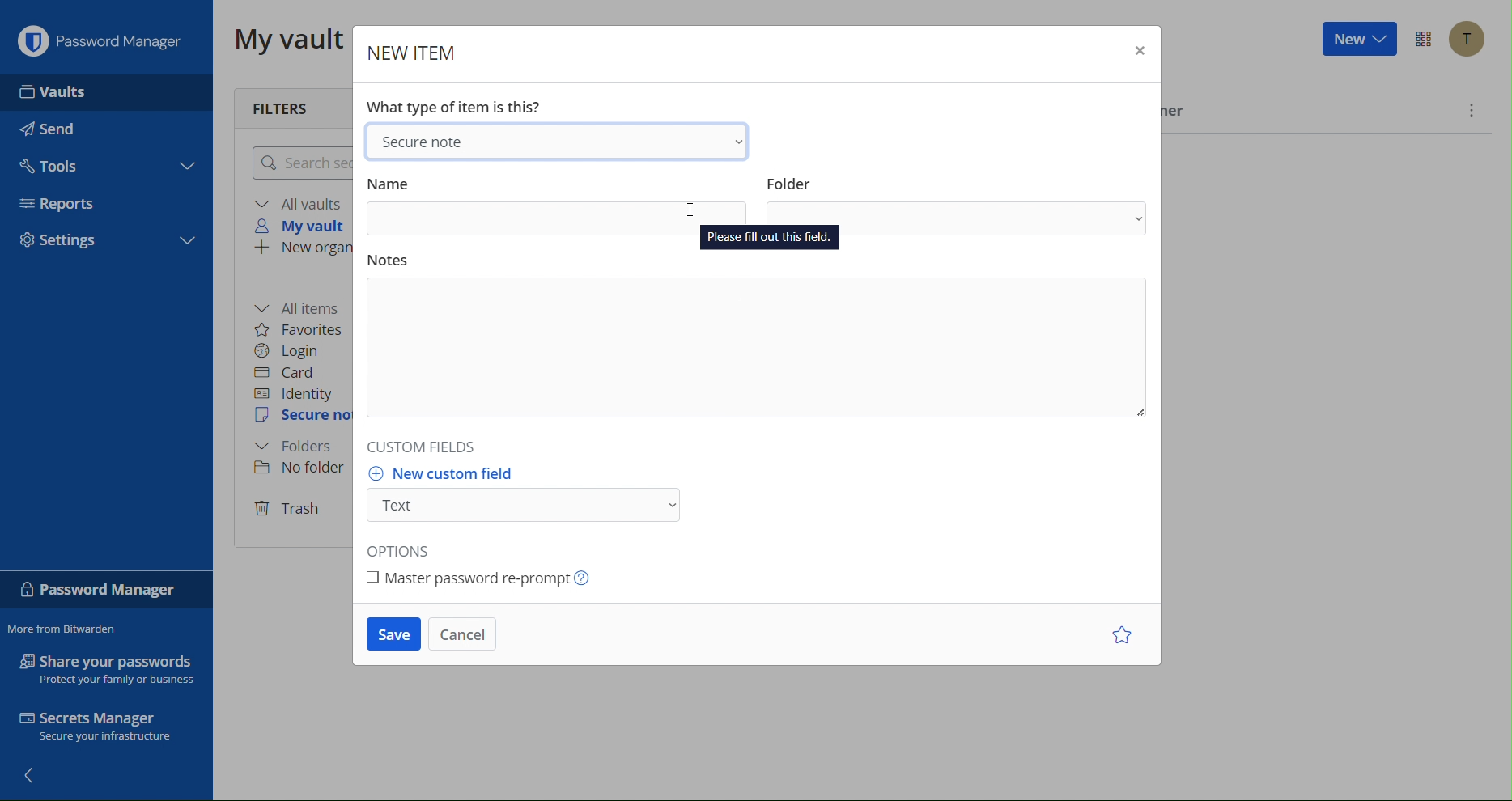 The width and height of the screenshot is (1512, 801). I want to click on Back, so click(35, 778).